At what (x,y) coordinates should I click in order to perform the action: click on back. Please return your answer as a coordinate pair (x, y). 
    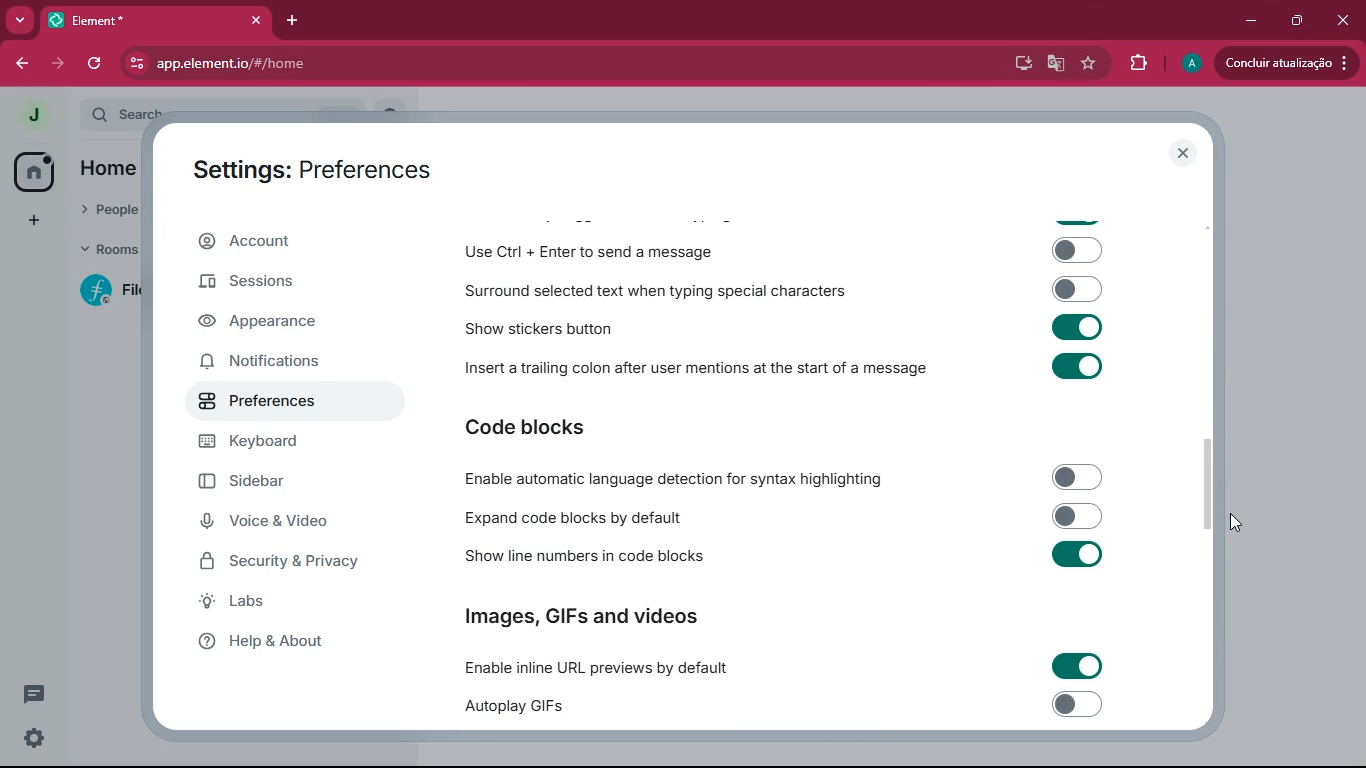
    Looking at the image, I should click on (22, 64).